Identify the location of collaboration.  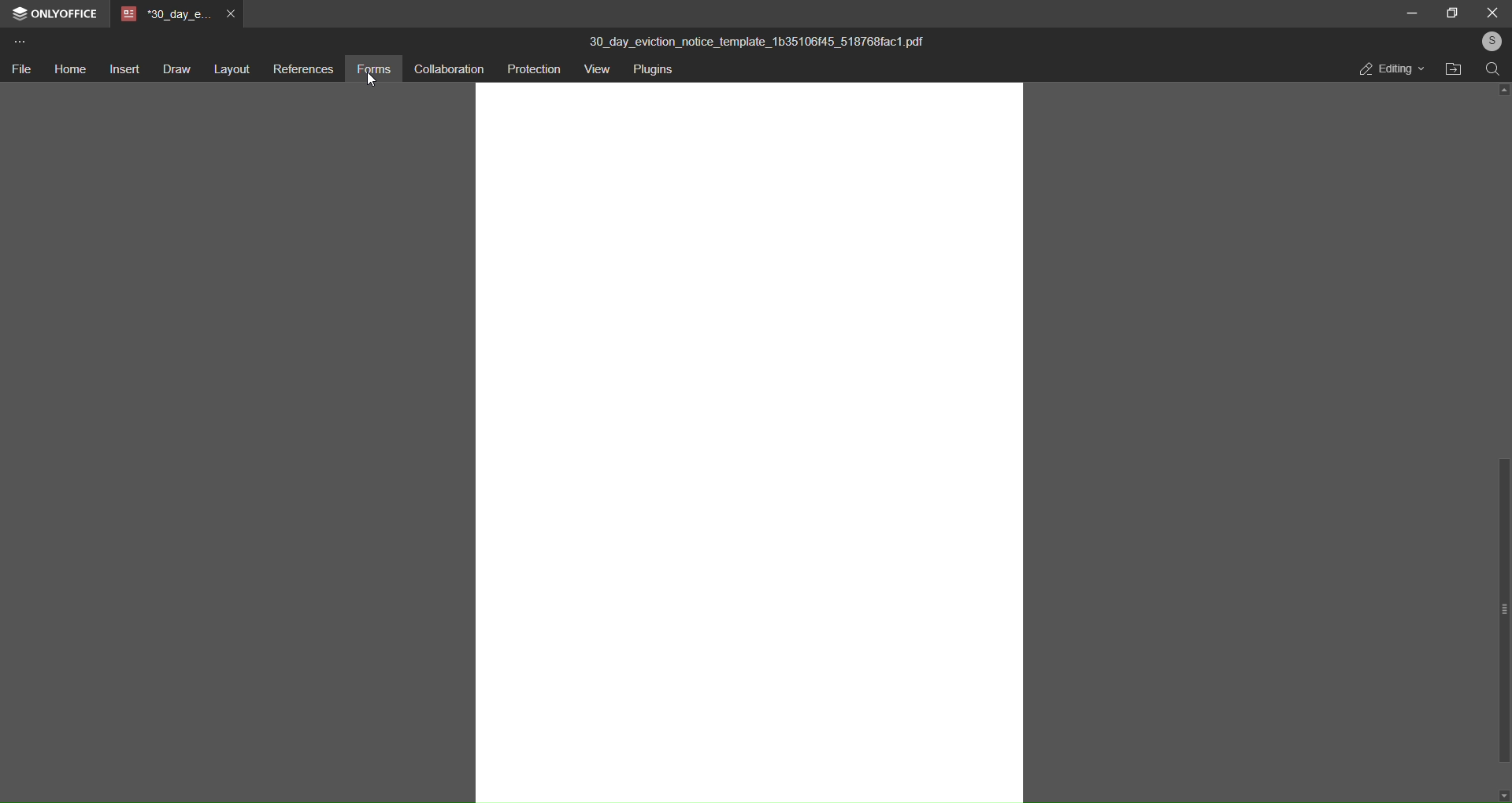
(445, 68).